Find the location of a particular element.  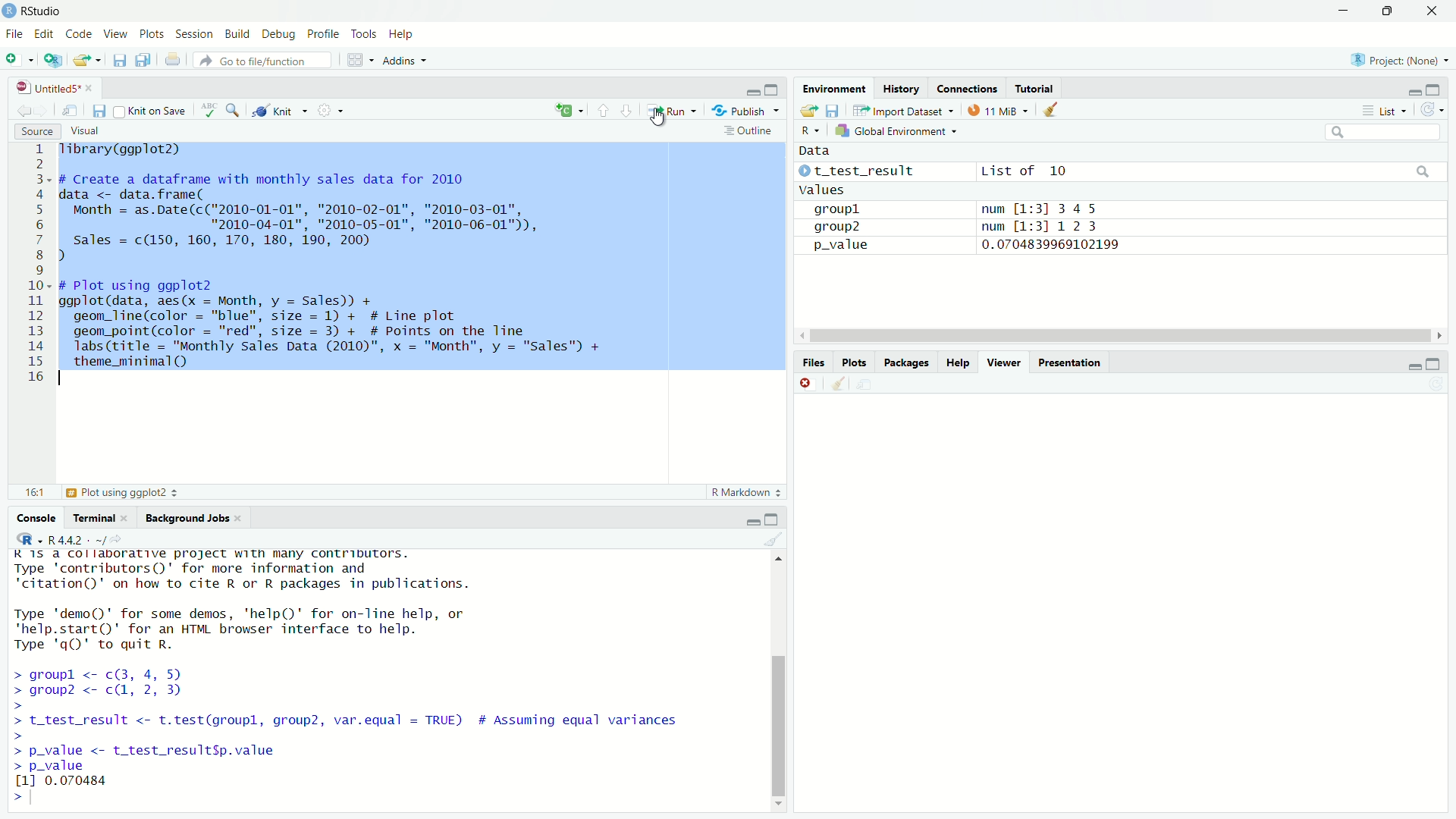

Addins ~ is located at coordinates (406, 60).